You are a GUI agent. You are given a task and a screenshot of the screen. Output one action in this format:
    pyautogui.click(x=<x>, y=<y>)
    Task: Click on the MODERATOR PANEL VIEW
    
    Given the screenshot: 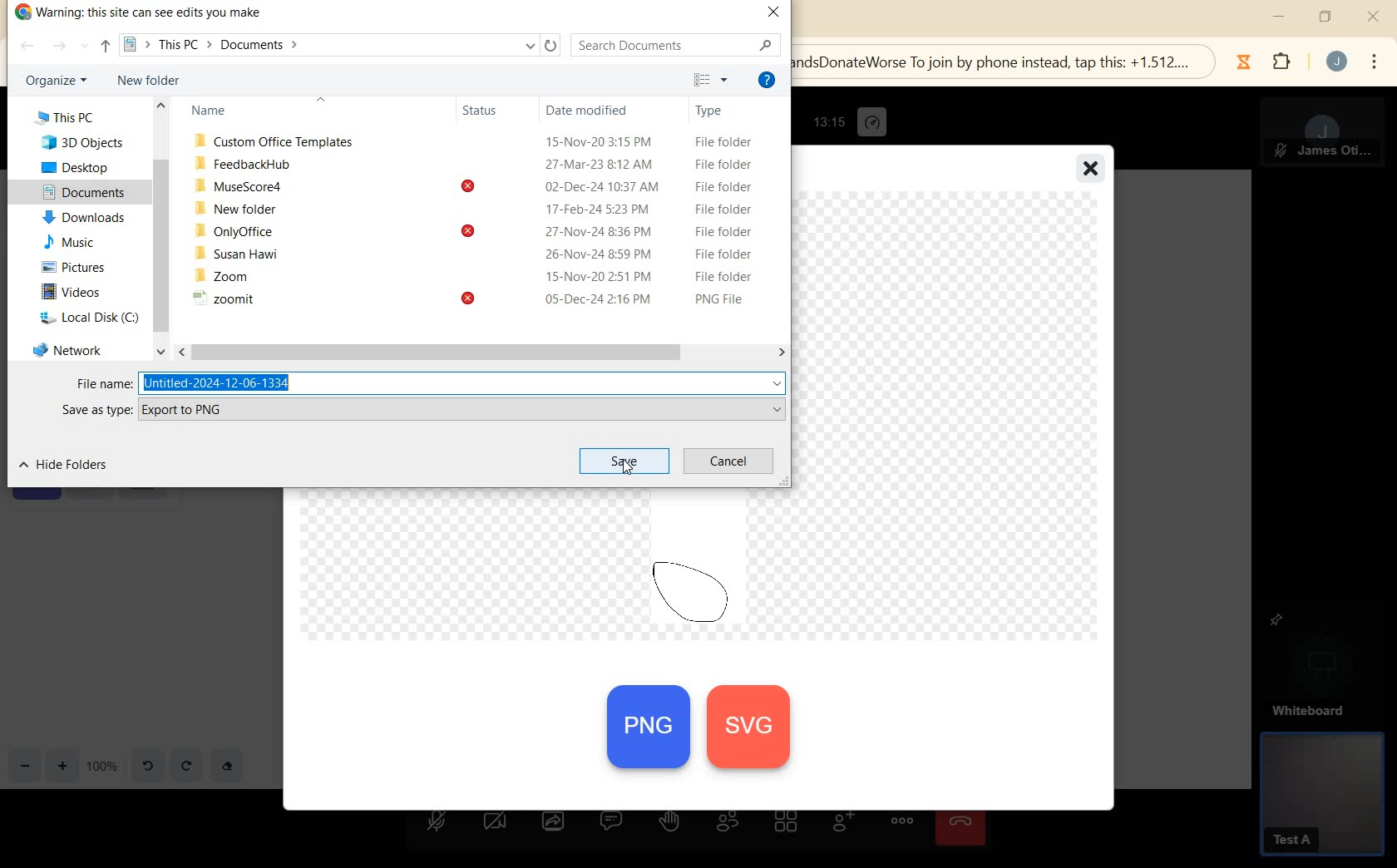 What is the action you would take?
    pyautogui.click(x=1329, y=133)
    